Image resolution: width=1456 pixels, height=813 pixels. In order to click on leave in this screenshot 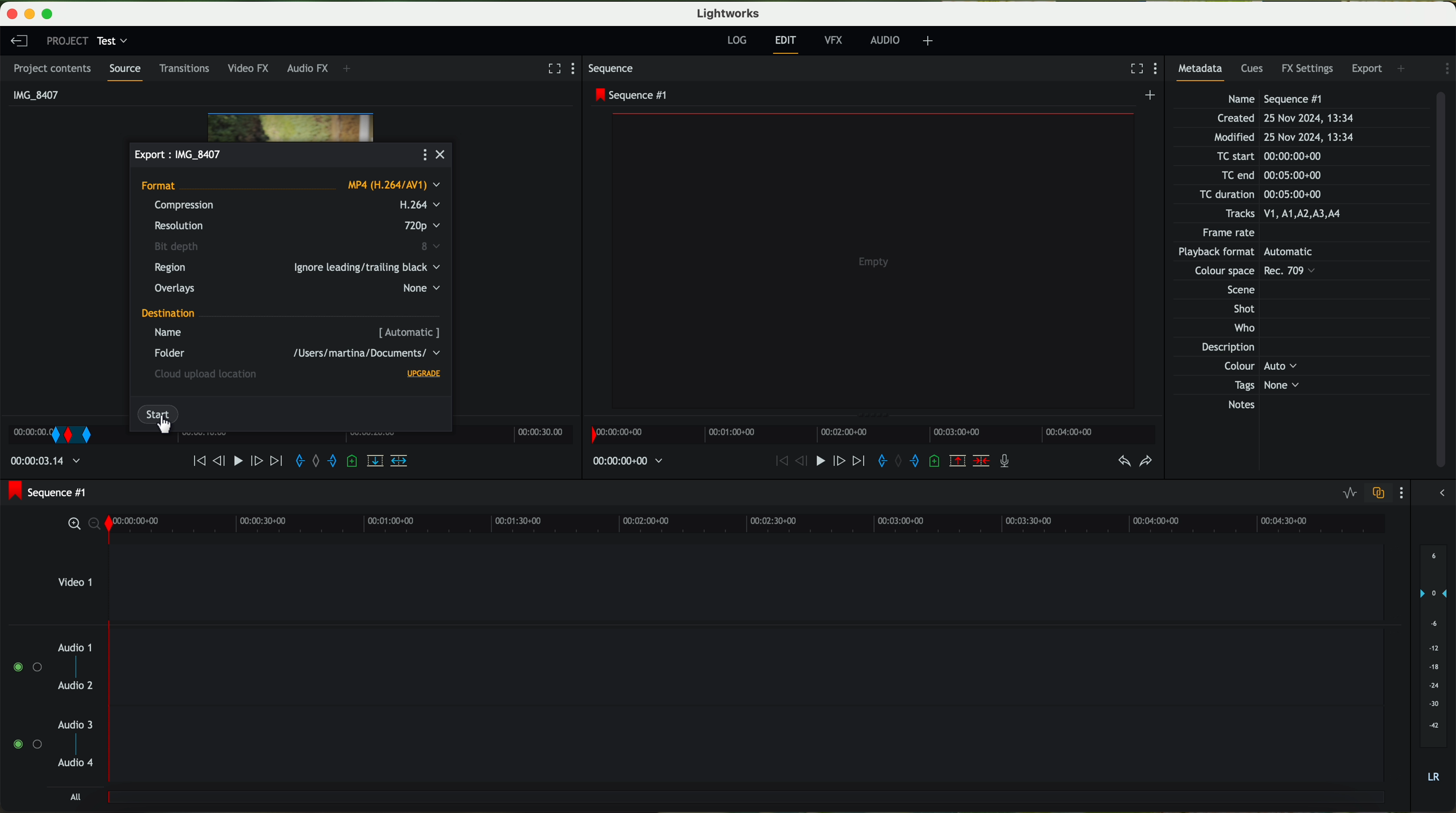, I will do `click(18, 40)`.